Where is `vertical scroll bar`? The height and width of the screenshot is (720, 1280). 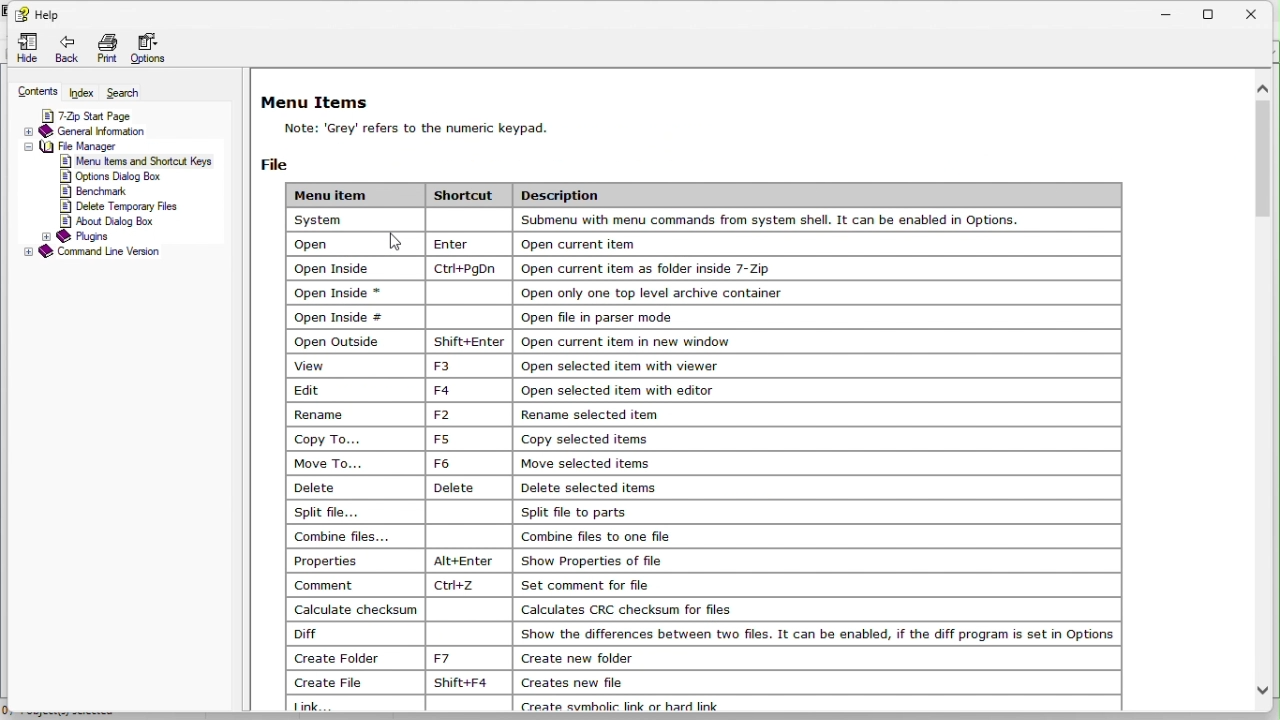 vertical scroll bar is located at coordinates (1263, 153).